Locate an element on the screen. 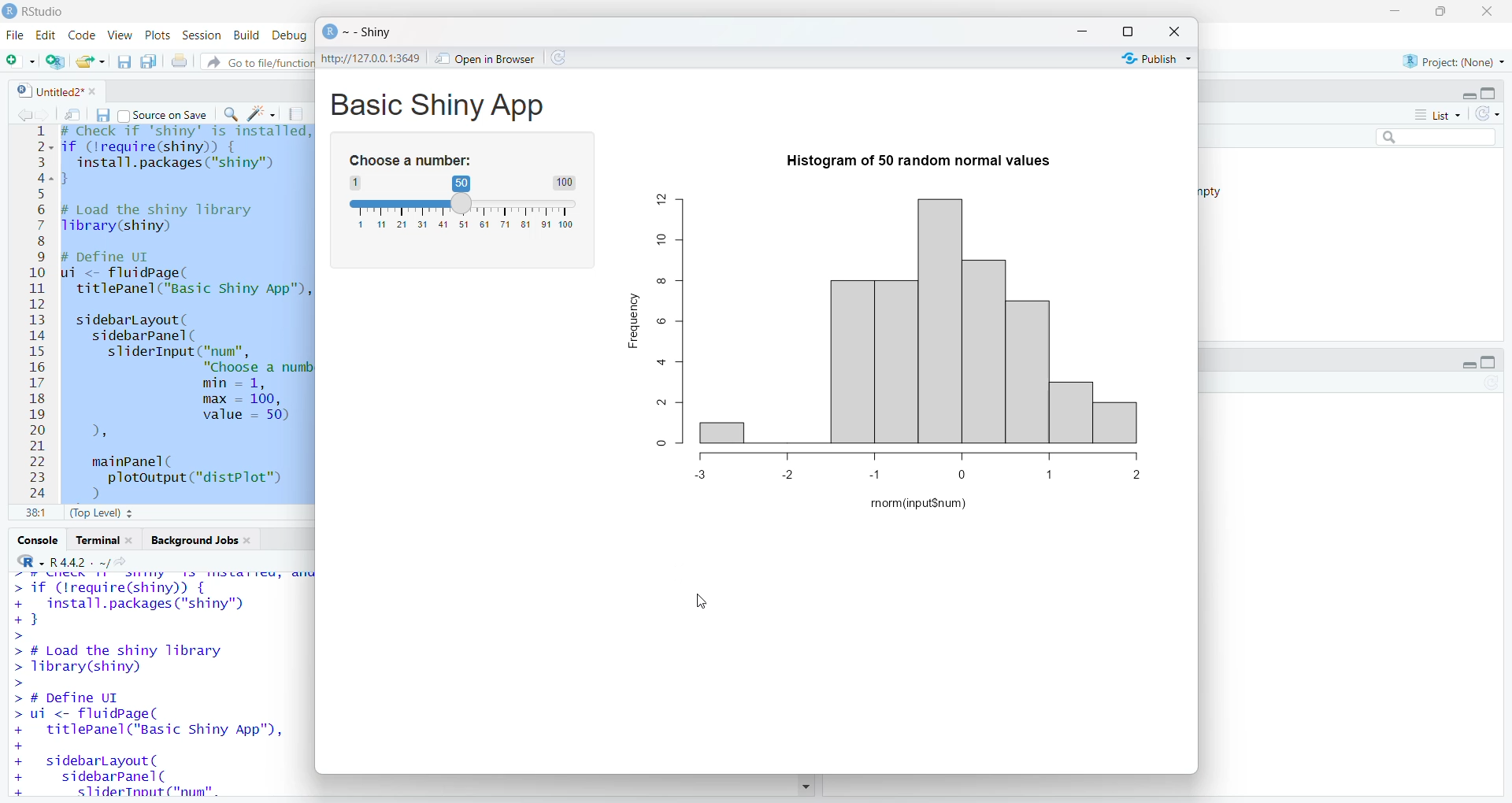 The height and width of the screenshot is (803, 1512). line numbering is located at coordinates (40, 314).